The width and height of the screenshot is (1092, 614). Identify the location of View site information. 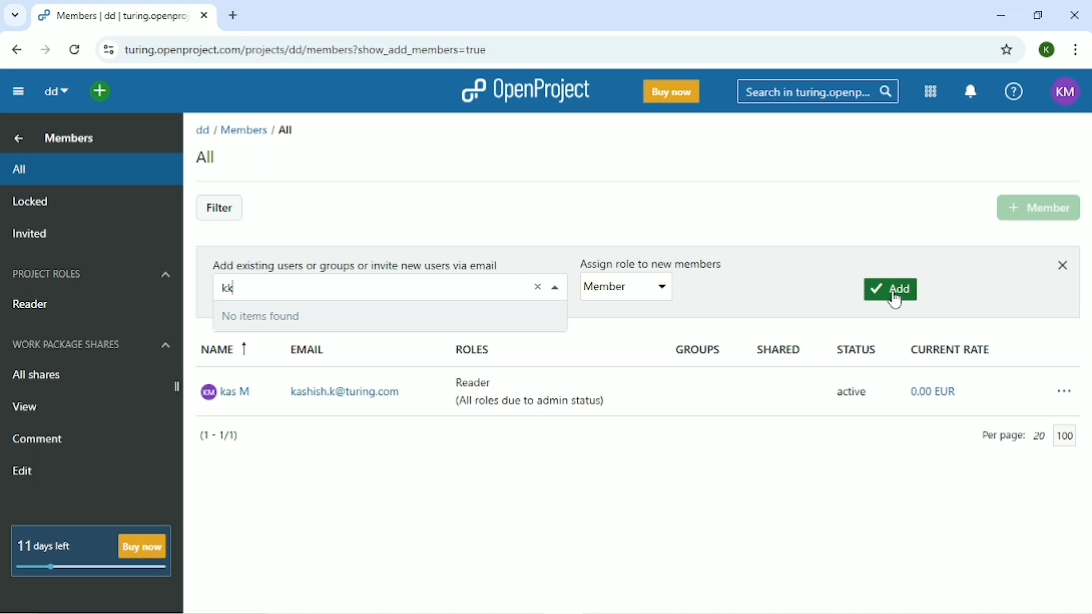
(106, 48).